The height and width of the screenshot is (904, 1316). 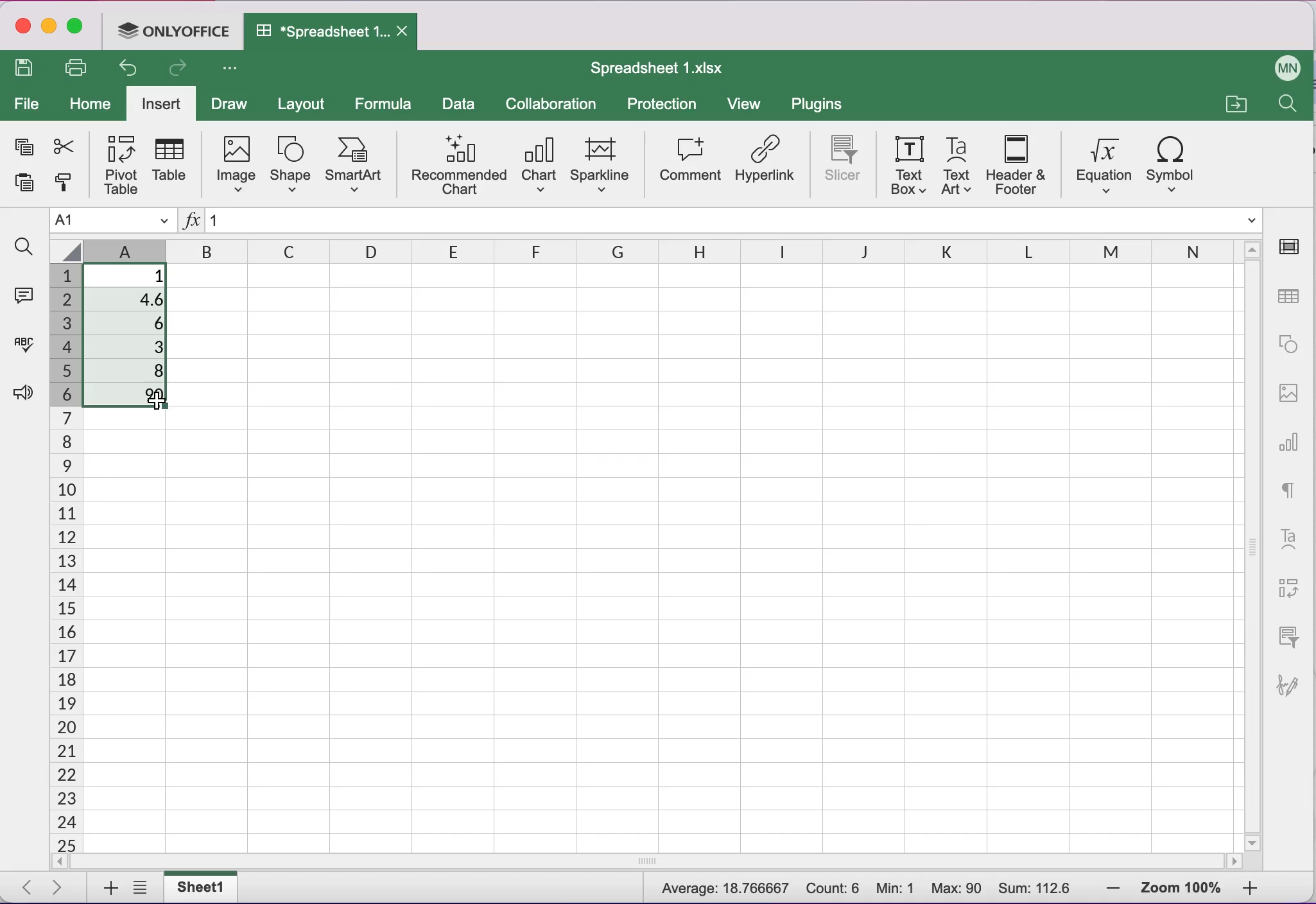 I want to click on view, so click(x=745, y=103).